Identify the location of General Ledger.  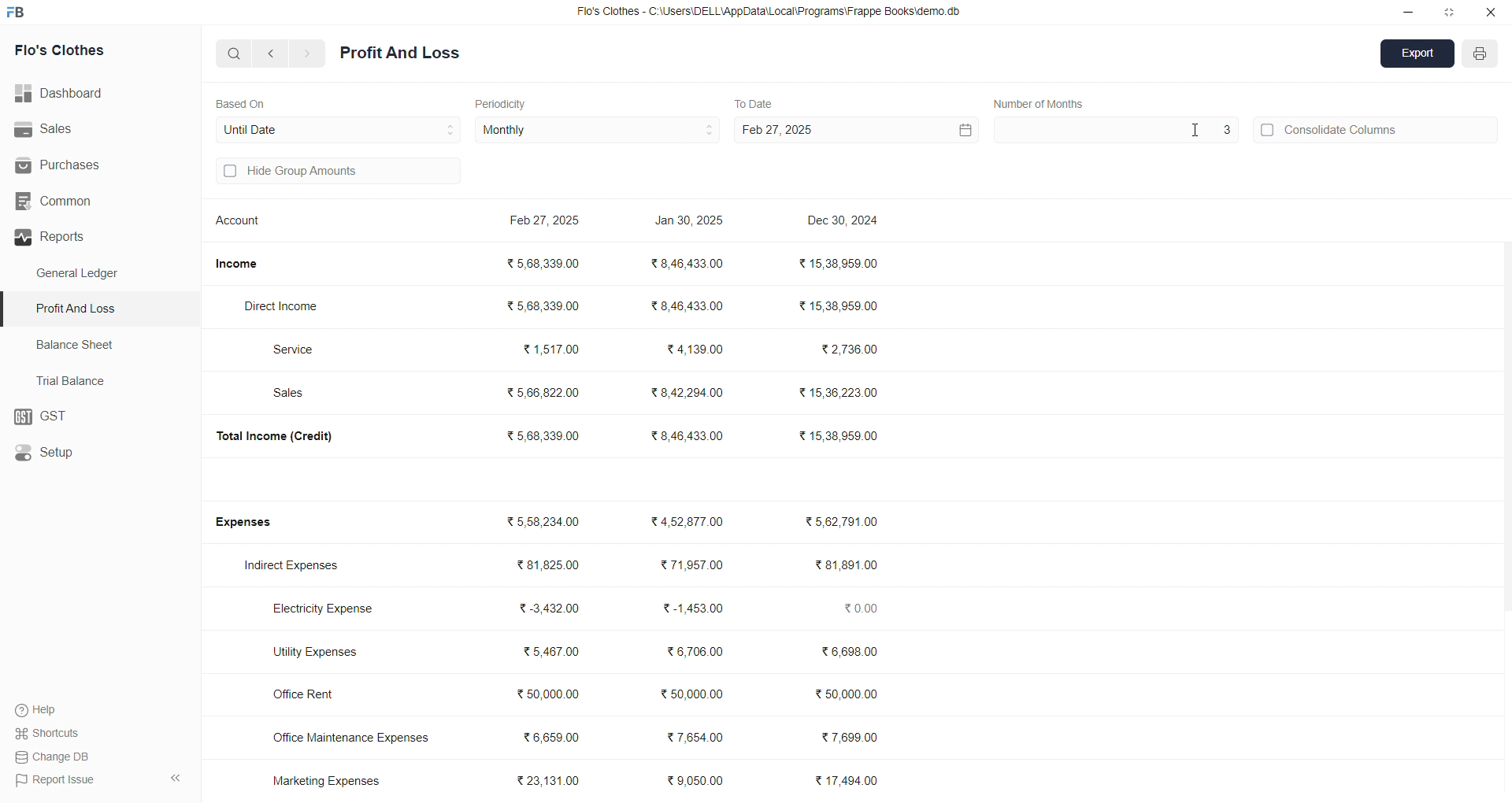
(86, 274).